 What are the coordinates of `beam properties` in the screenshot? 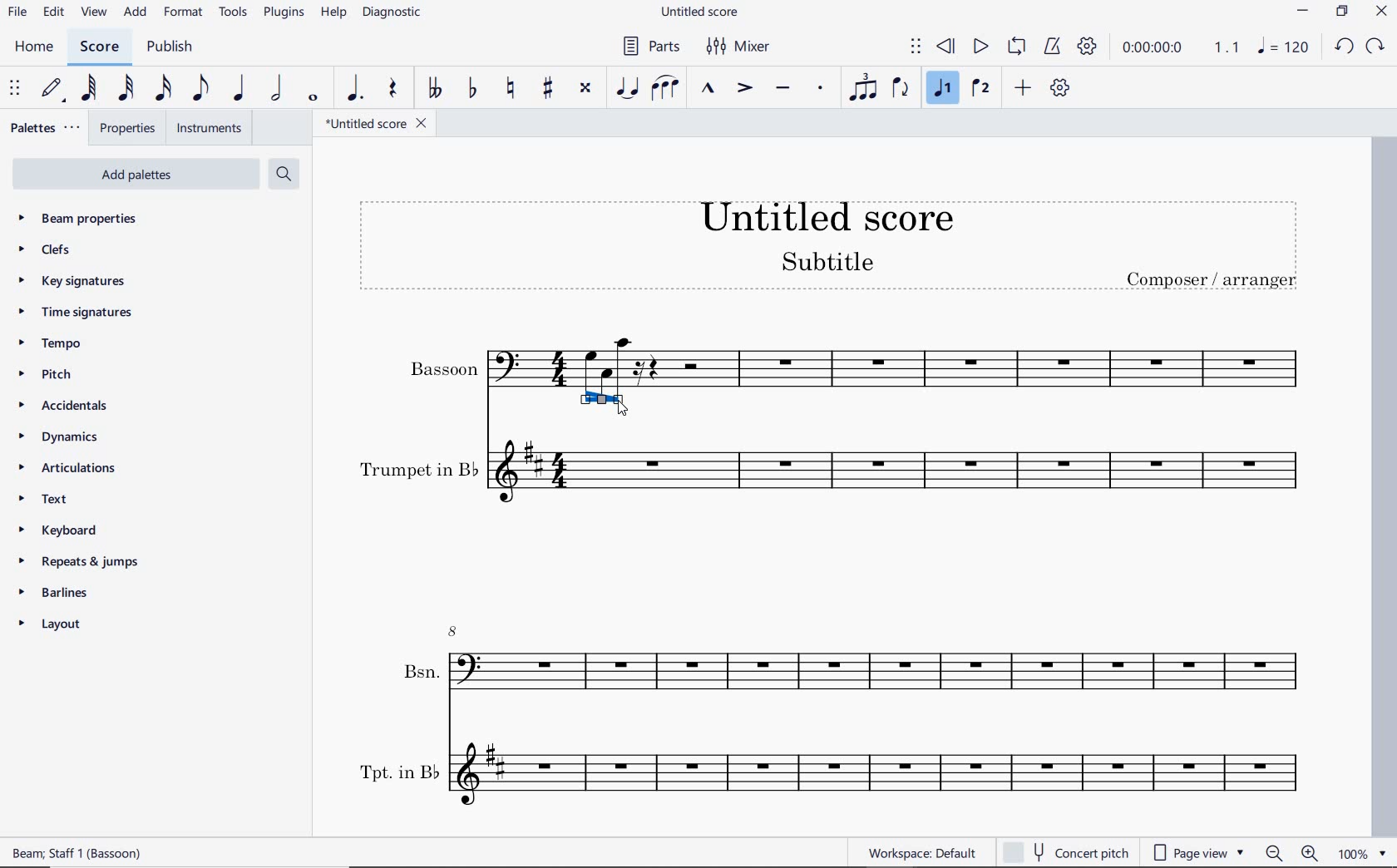 It's located at (88, 218).